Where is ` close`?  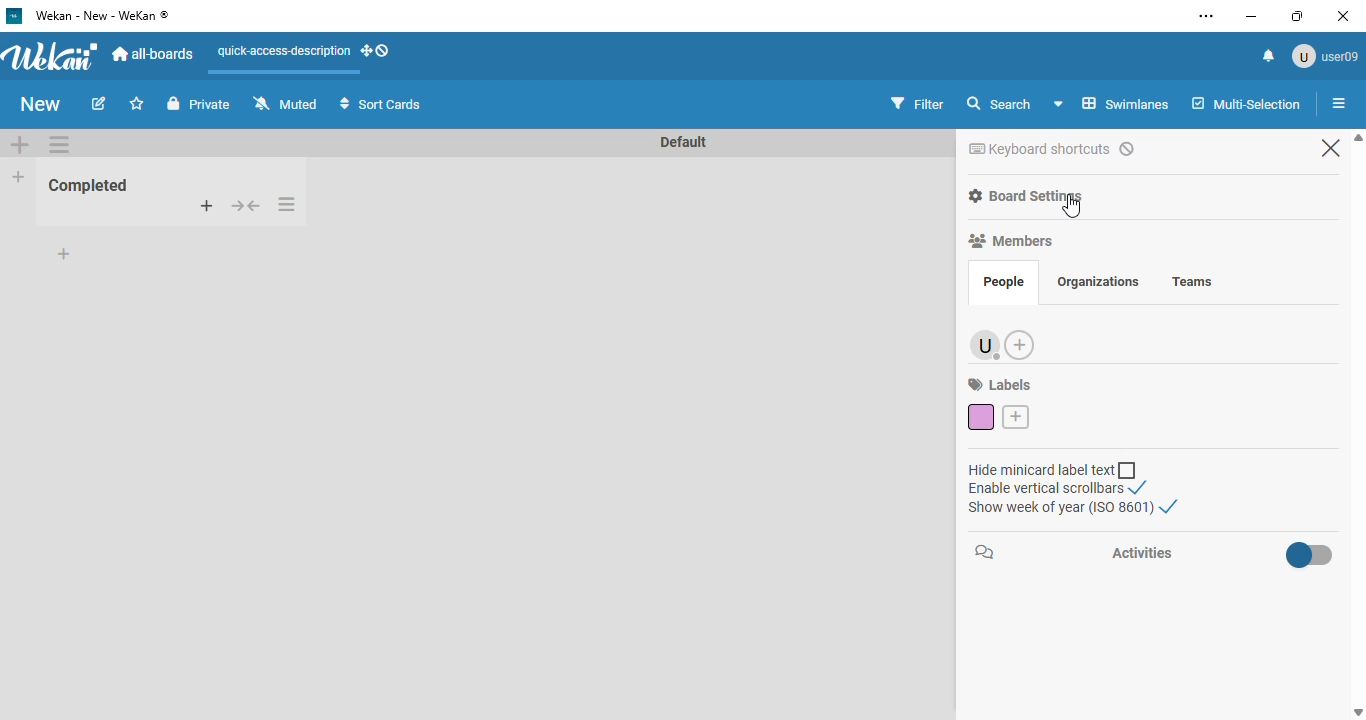  close is located at coordinates (1331, 147).